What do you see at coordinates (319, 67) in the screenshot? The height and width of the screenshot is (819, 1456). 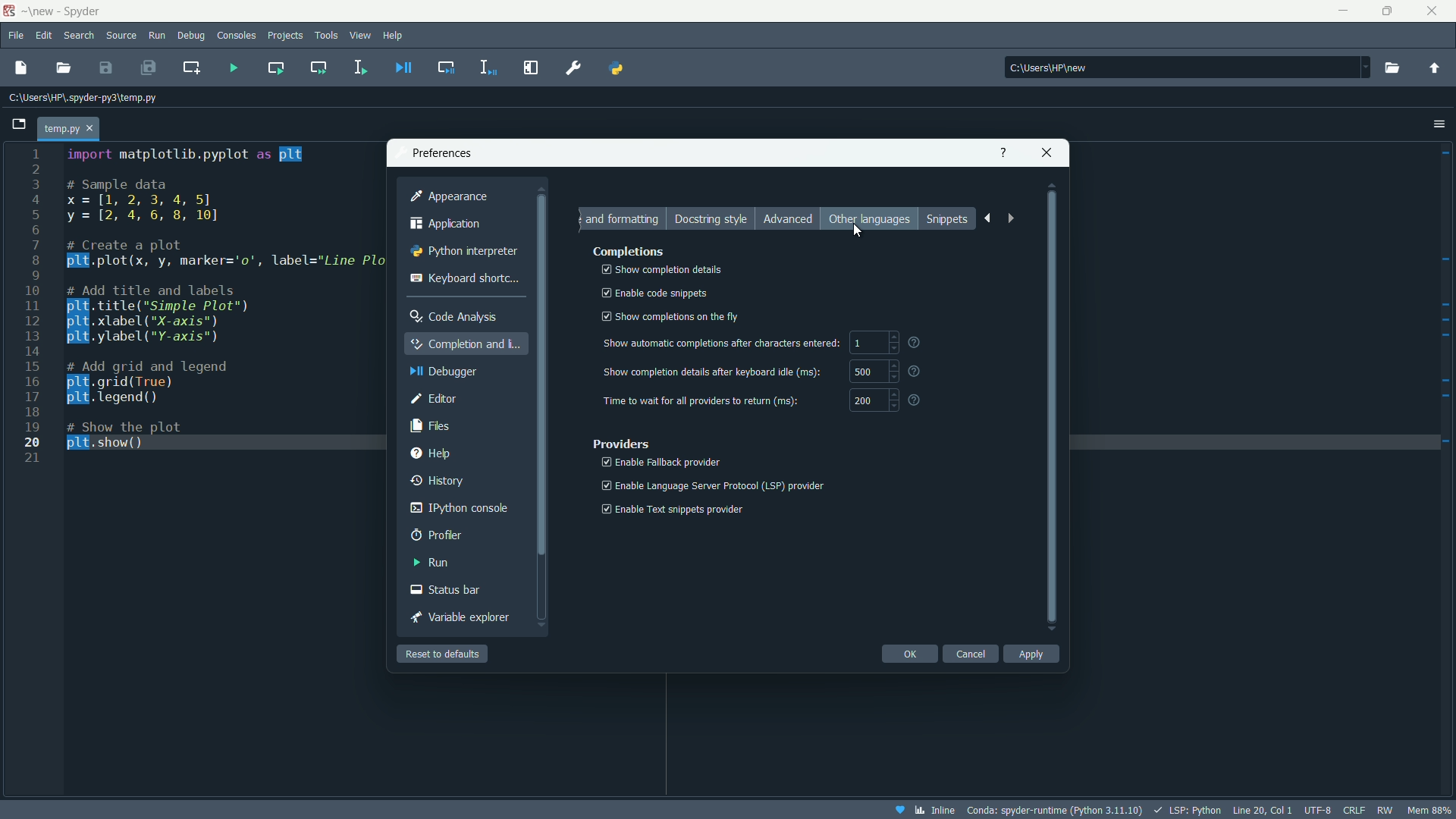 I see `run current cell and go to the next one` at bounding box center [319, 67].